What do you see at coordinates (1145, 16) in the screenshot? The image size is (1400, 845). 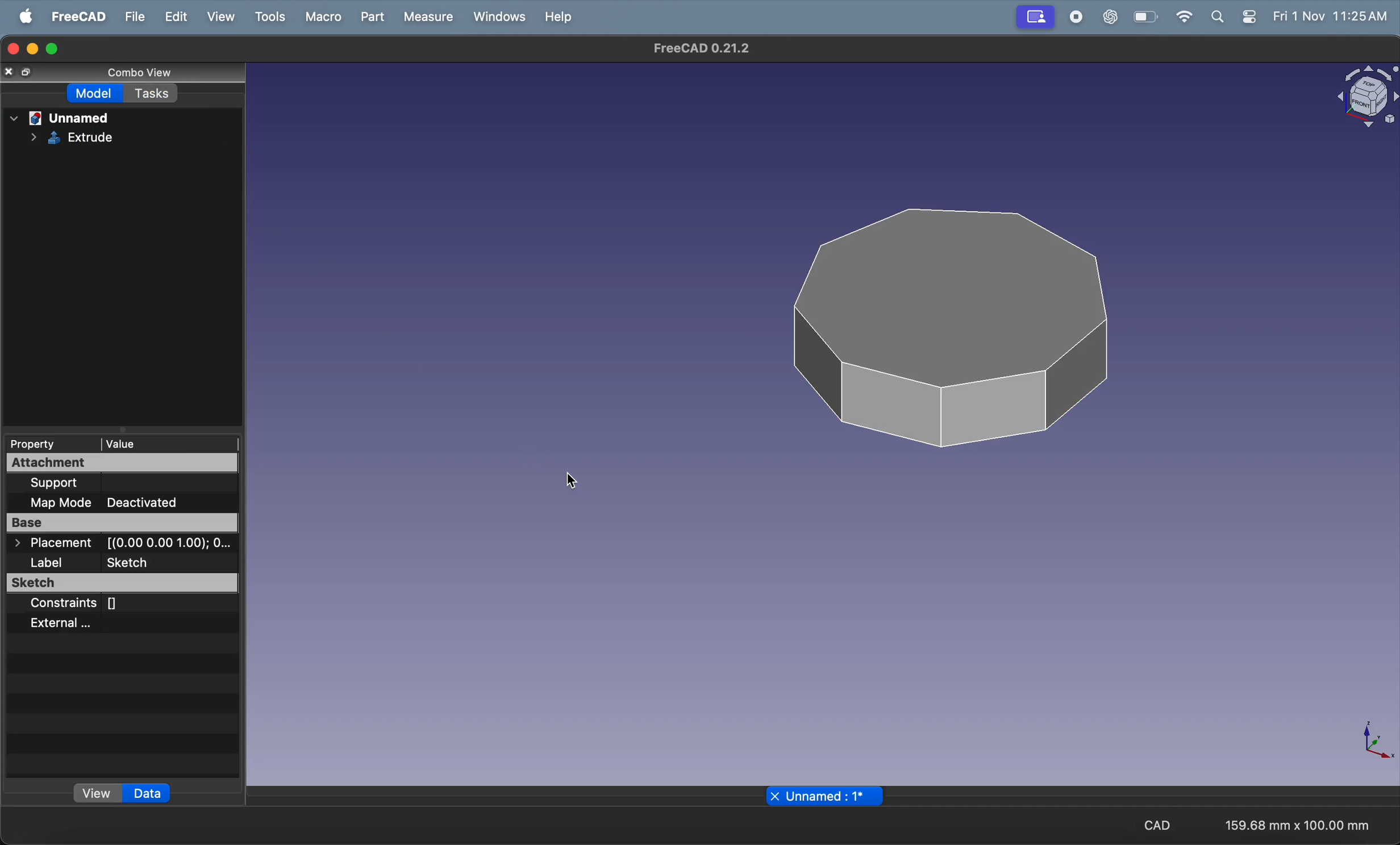 I see `battery` at bounding box center [1145, 16].